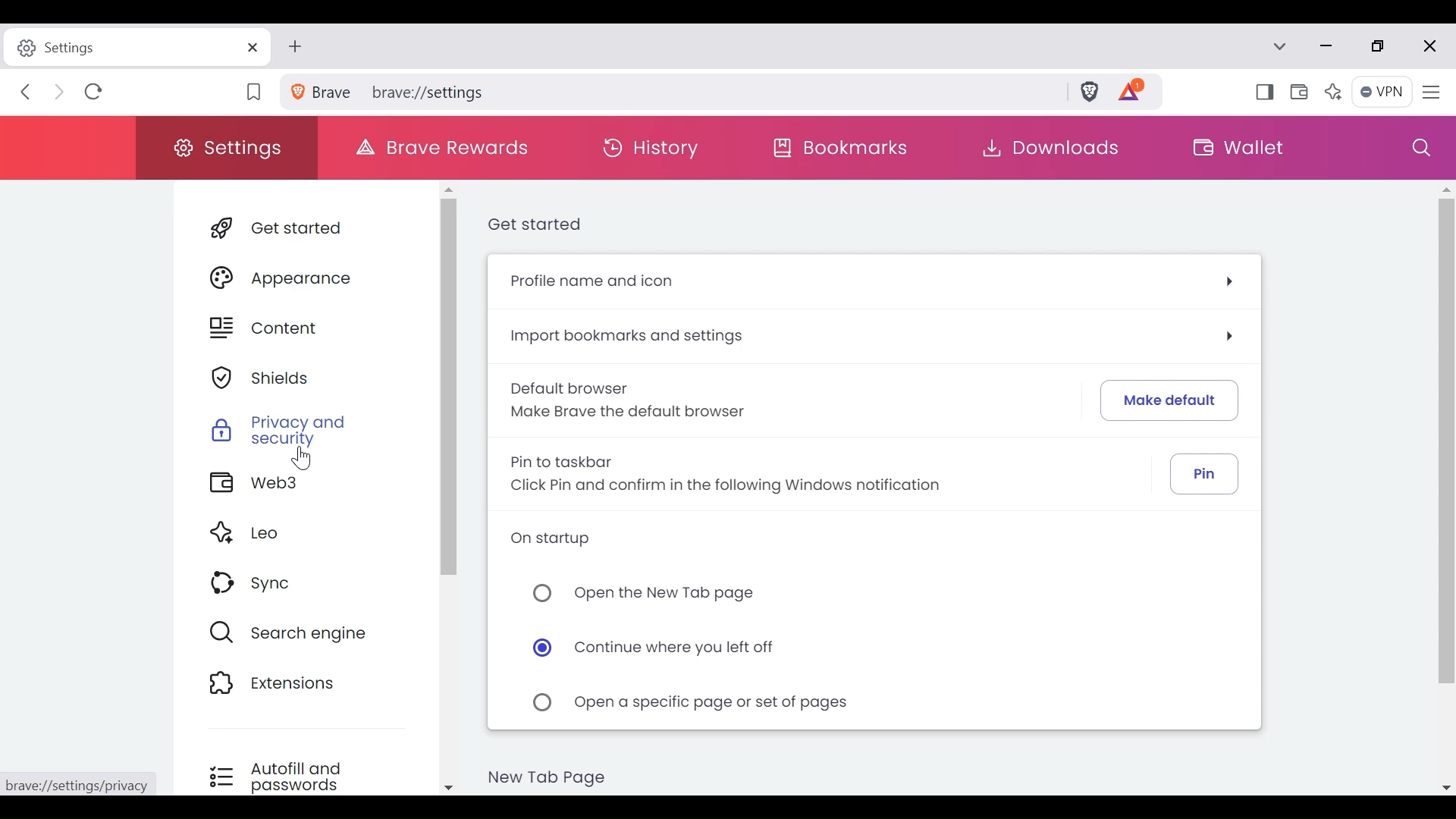  What do you see at coordinates (849, 151) in the screenshot?
I see `Bookmarks` at bounding box center [849, 151].